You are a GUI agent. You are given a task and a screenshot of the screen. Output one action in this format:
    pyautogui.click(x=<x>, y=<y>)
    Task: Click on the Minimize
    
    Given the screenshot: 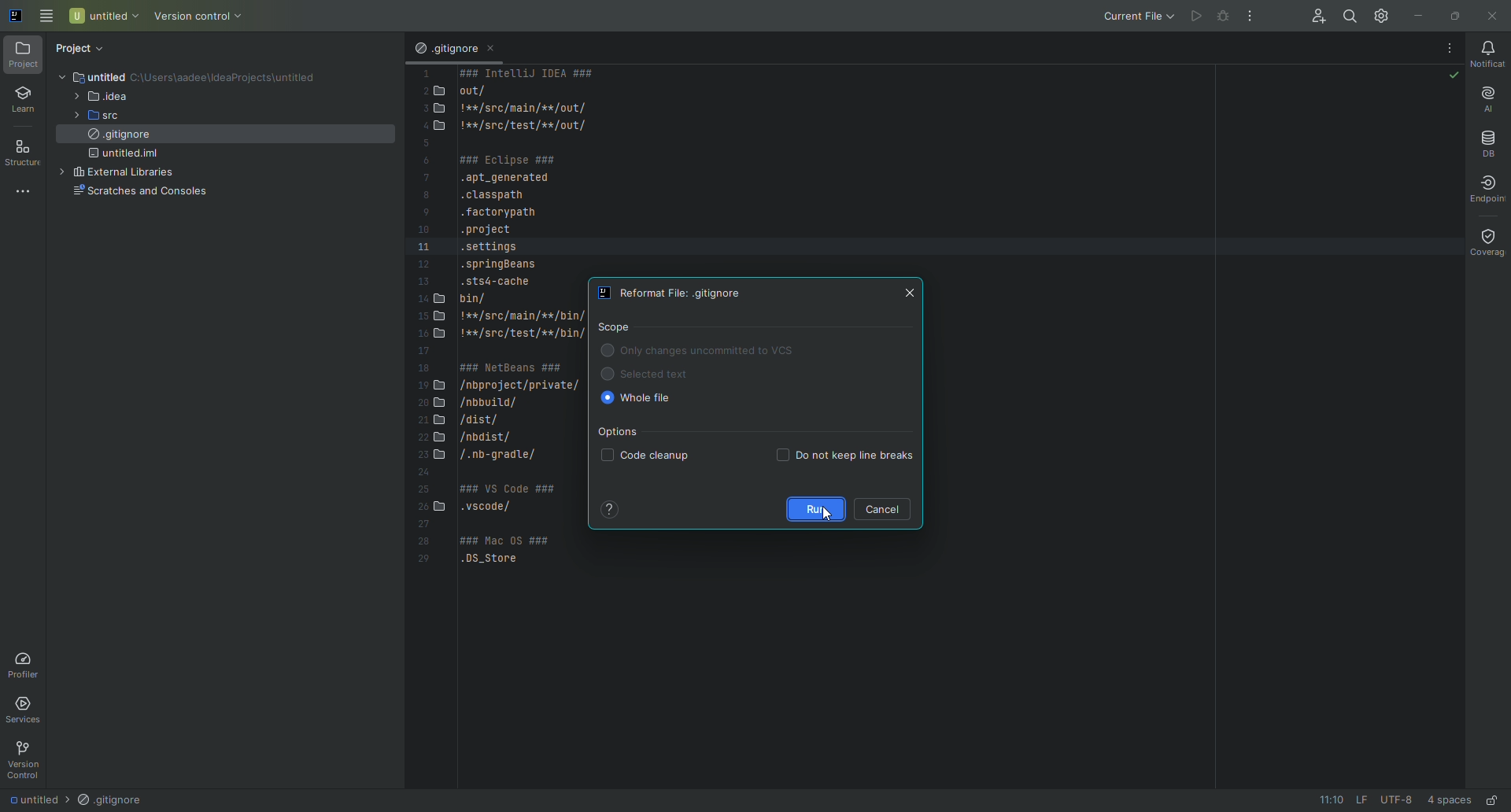 What is the action you would take?
    pyautogui.click(x=1417, y=15)
    